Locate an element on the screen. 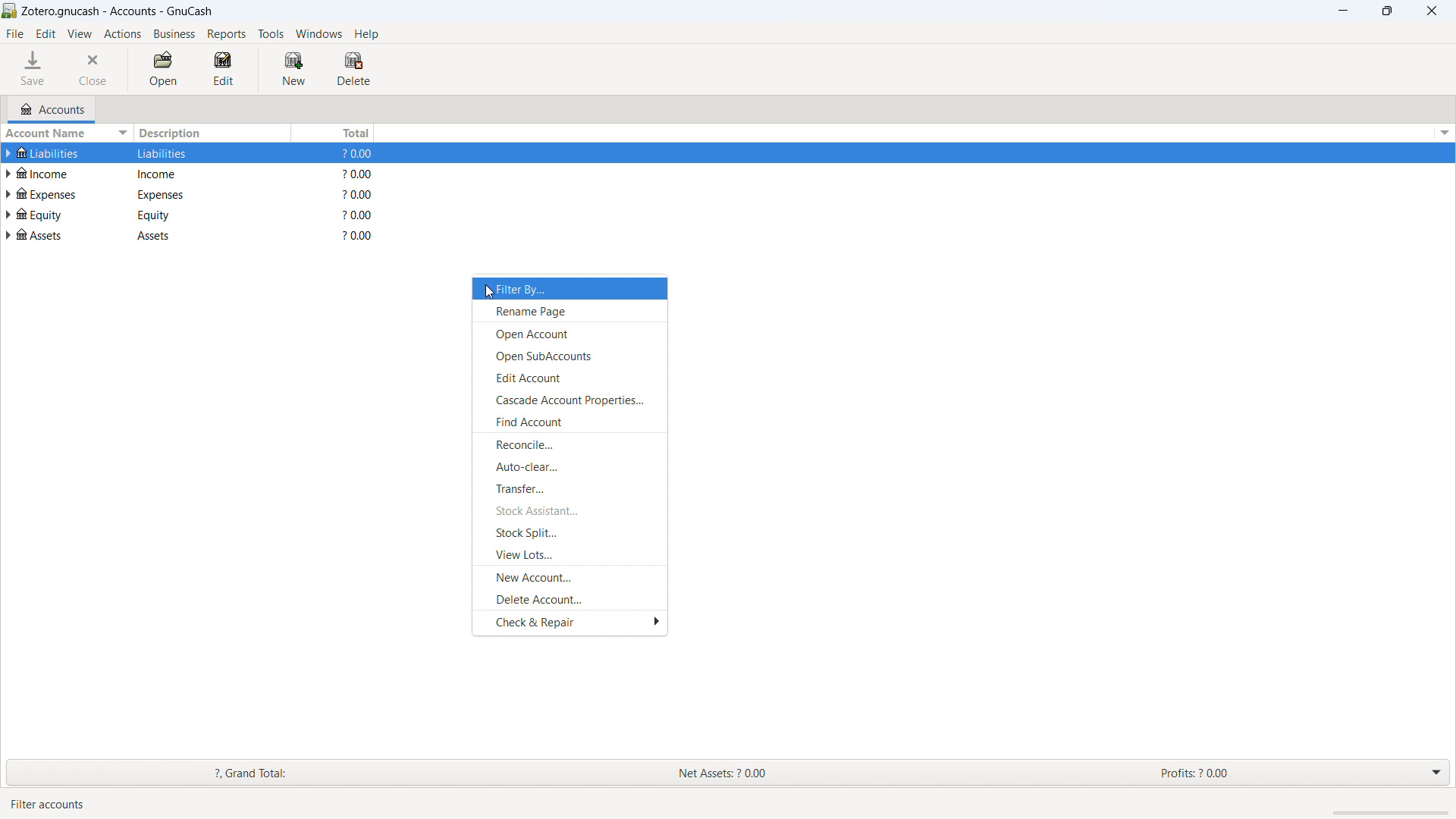 This screenshot has height=819, width=1456. $0.00 is located at coordinates (359, 215).